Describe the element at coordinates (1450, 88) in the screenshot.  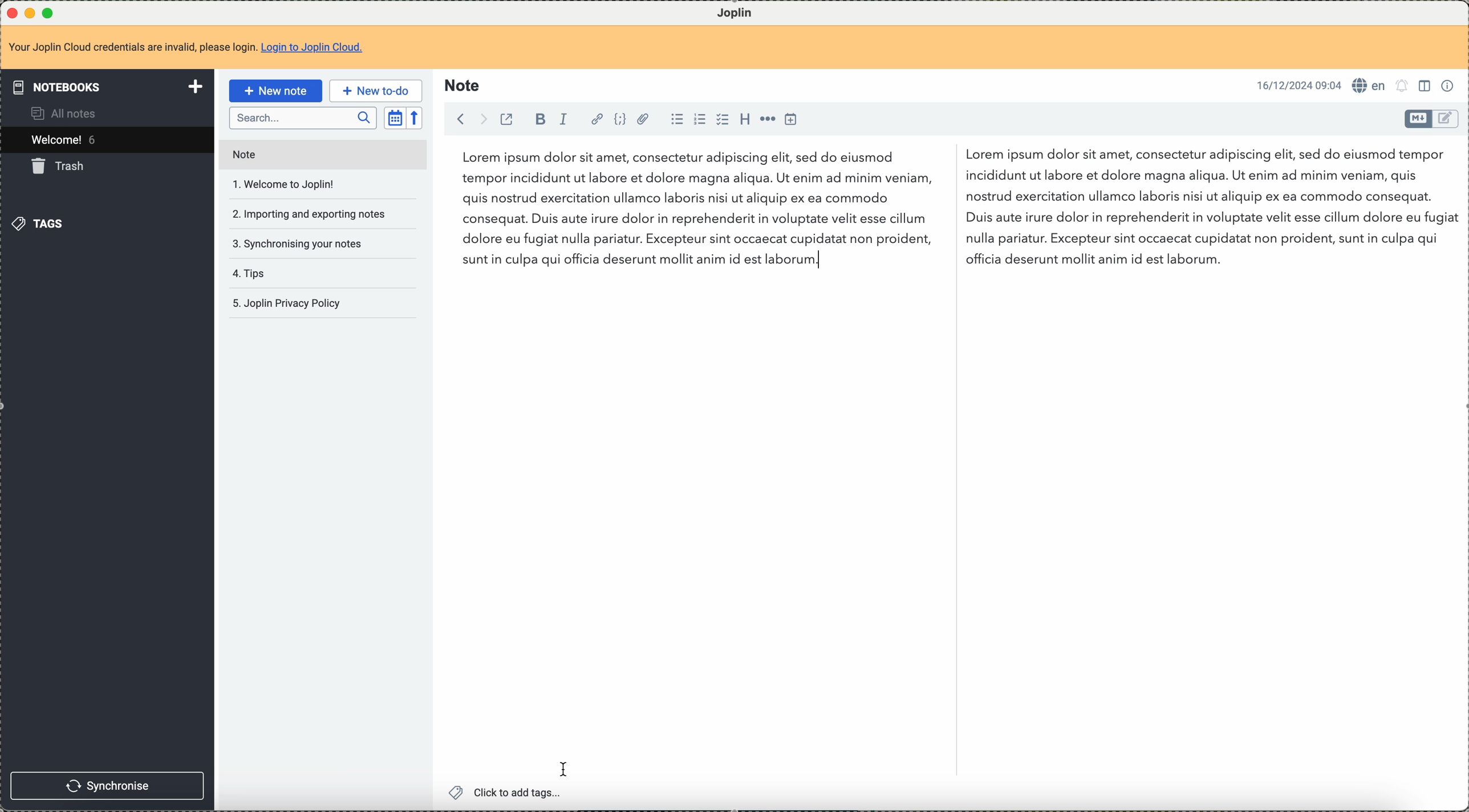
I see `note properties` at that location.